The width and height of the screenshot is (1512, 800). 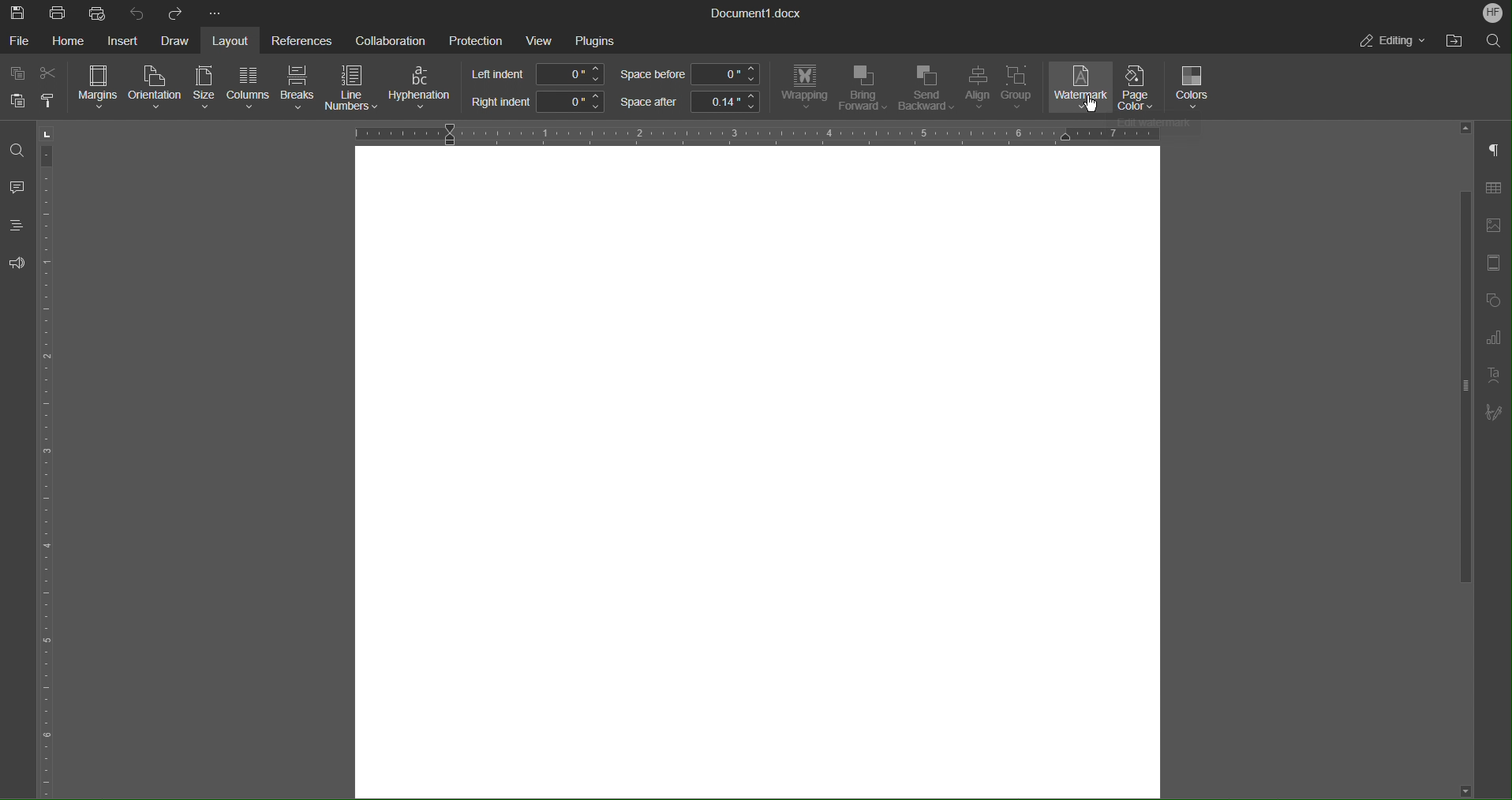 I want to click on Copy Style, so click(x=50, y=101).